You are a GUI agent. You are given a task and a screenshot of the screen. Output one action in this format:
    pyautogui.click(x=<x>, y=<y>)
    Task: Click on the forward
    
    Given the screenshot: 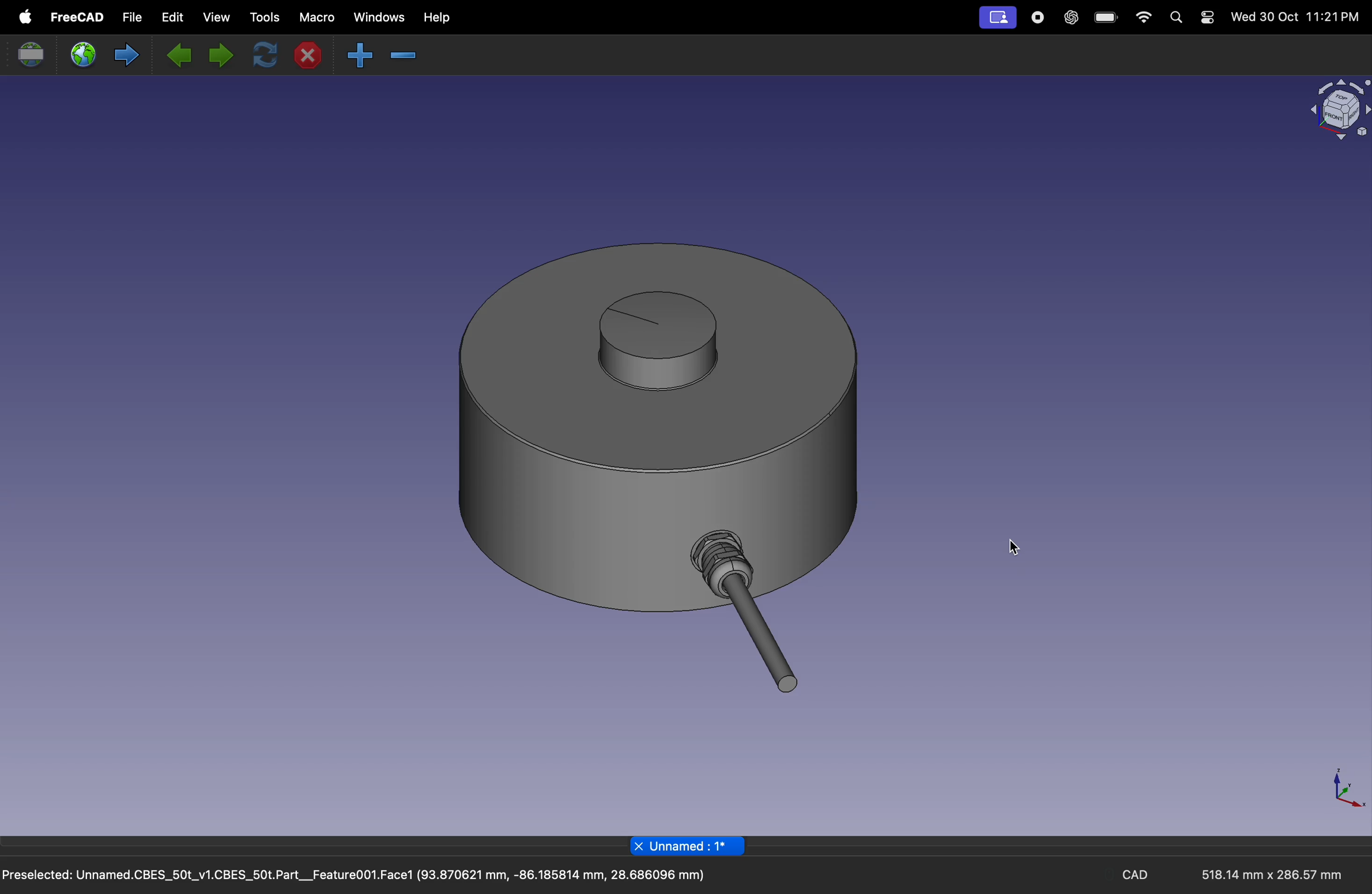 What is the action you would take?
    pyautogui.click(x=124, y=56)
    